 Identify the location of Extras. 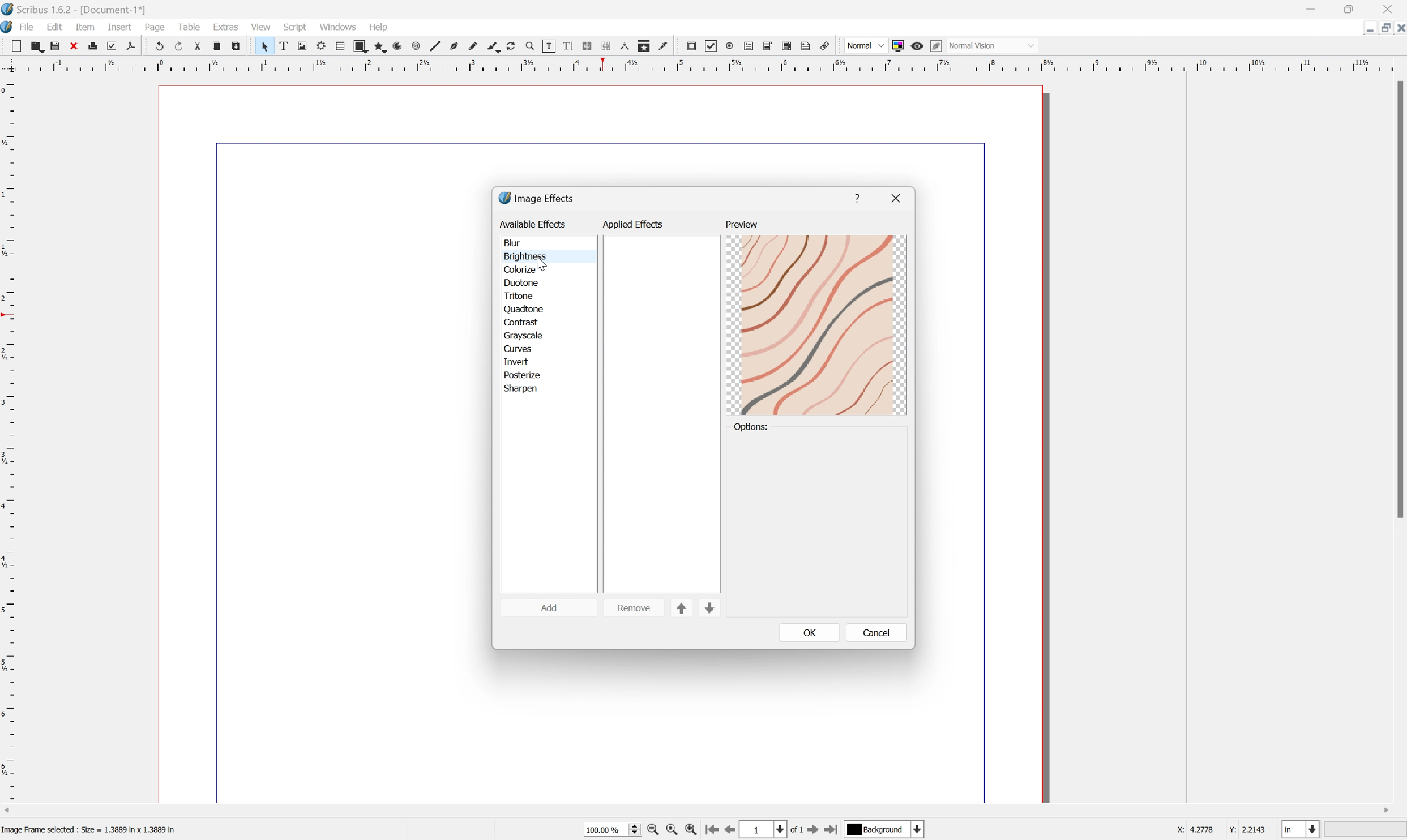
(226, 29).